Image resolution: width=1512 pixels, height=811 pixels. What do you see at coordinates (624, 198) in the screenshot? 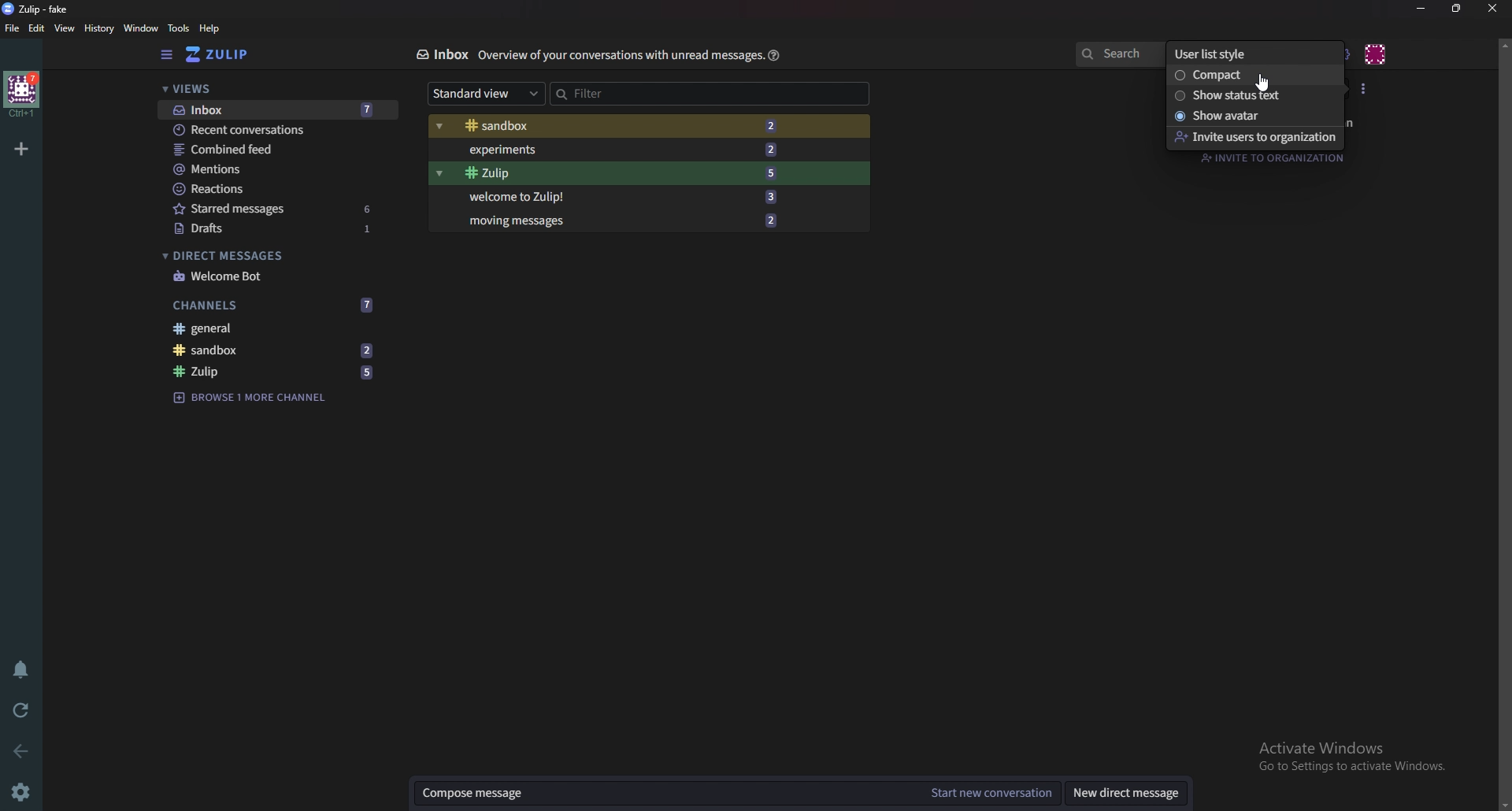
I see `Welcome to zulip` at bounding box center [624, 198].